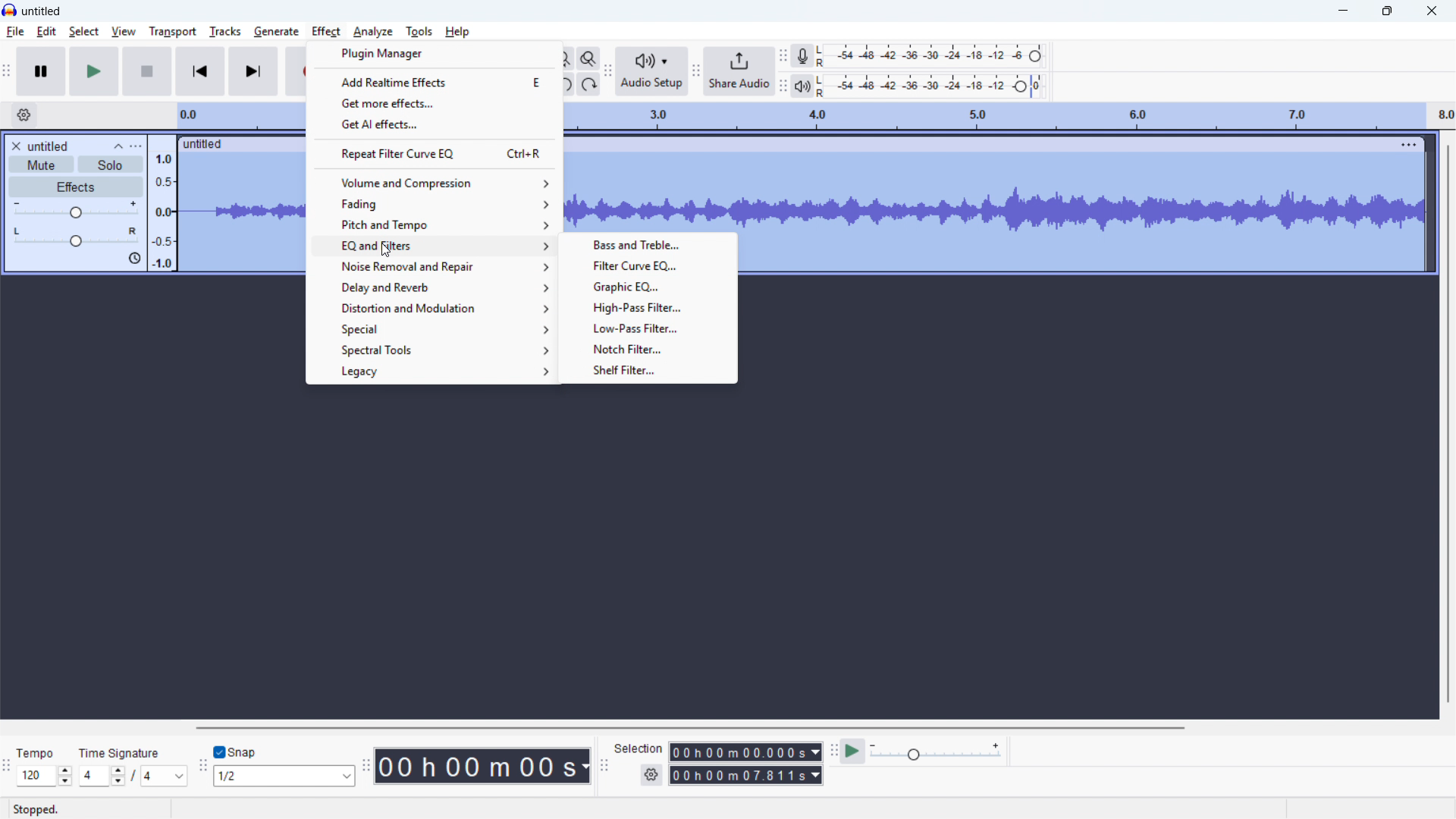 This screenshot has width=1456, height=819. I want to click on tracks, so click(224, 31).